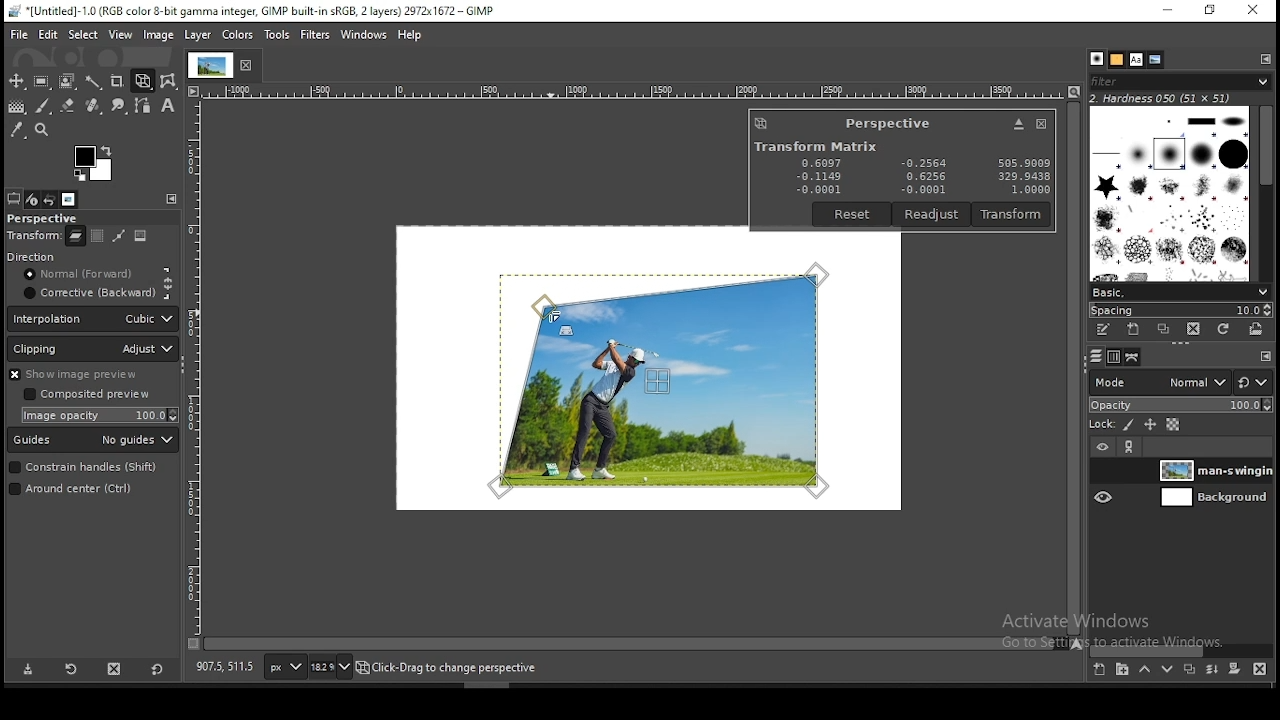 This screenshot has width=1280, height=720. Describe the element at coordinates (120, 105) in the screenshot. I see `smudge tool` at that location.